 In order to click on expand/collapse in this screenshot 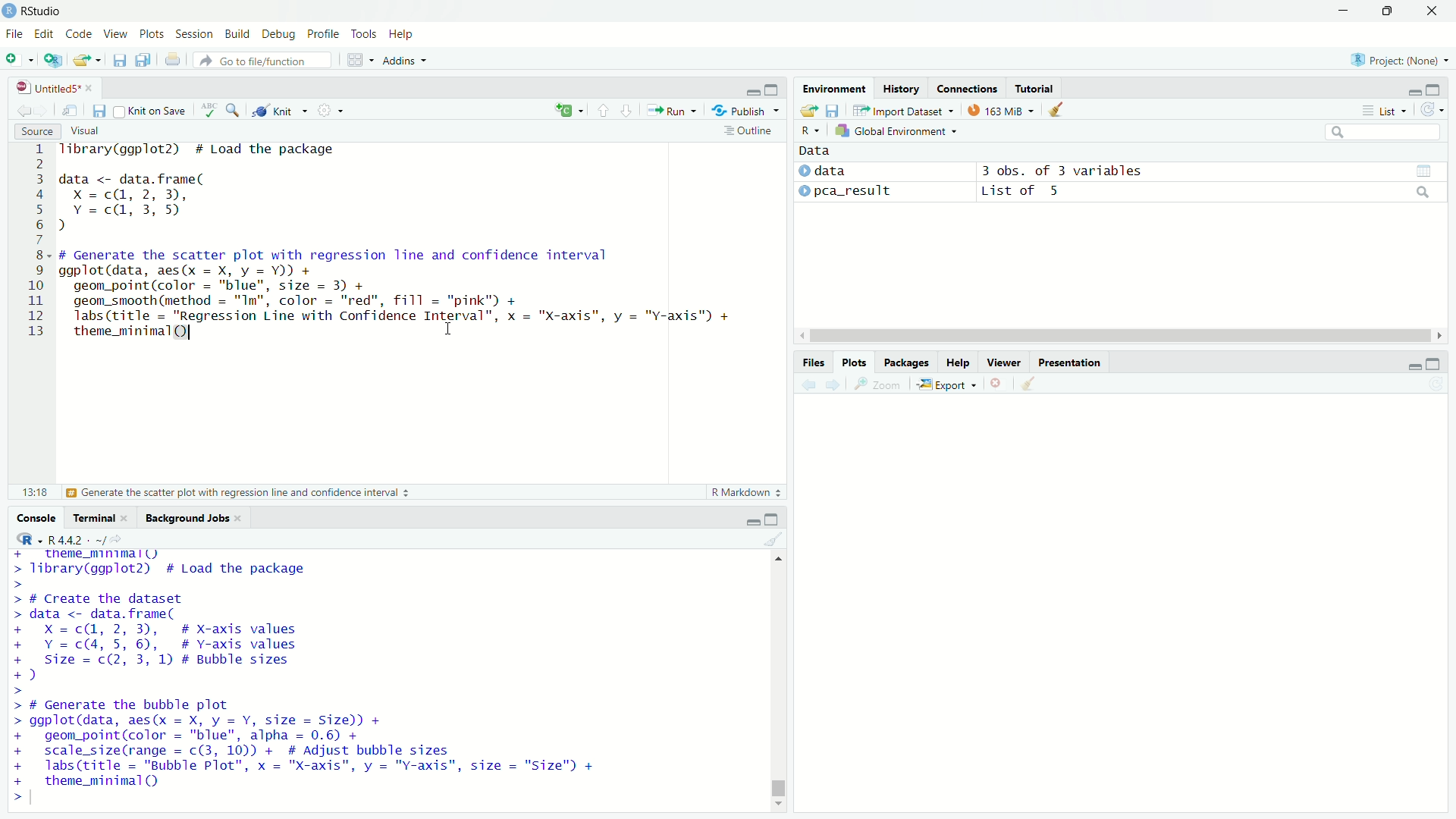, I will do `click(804, 191)`.